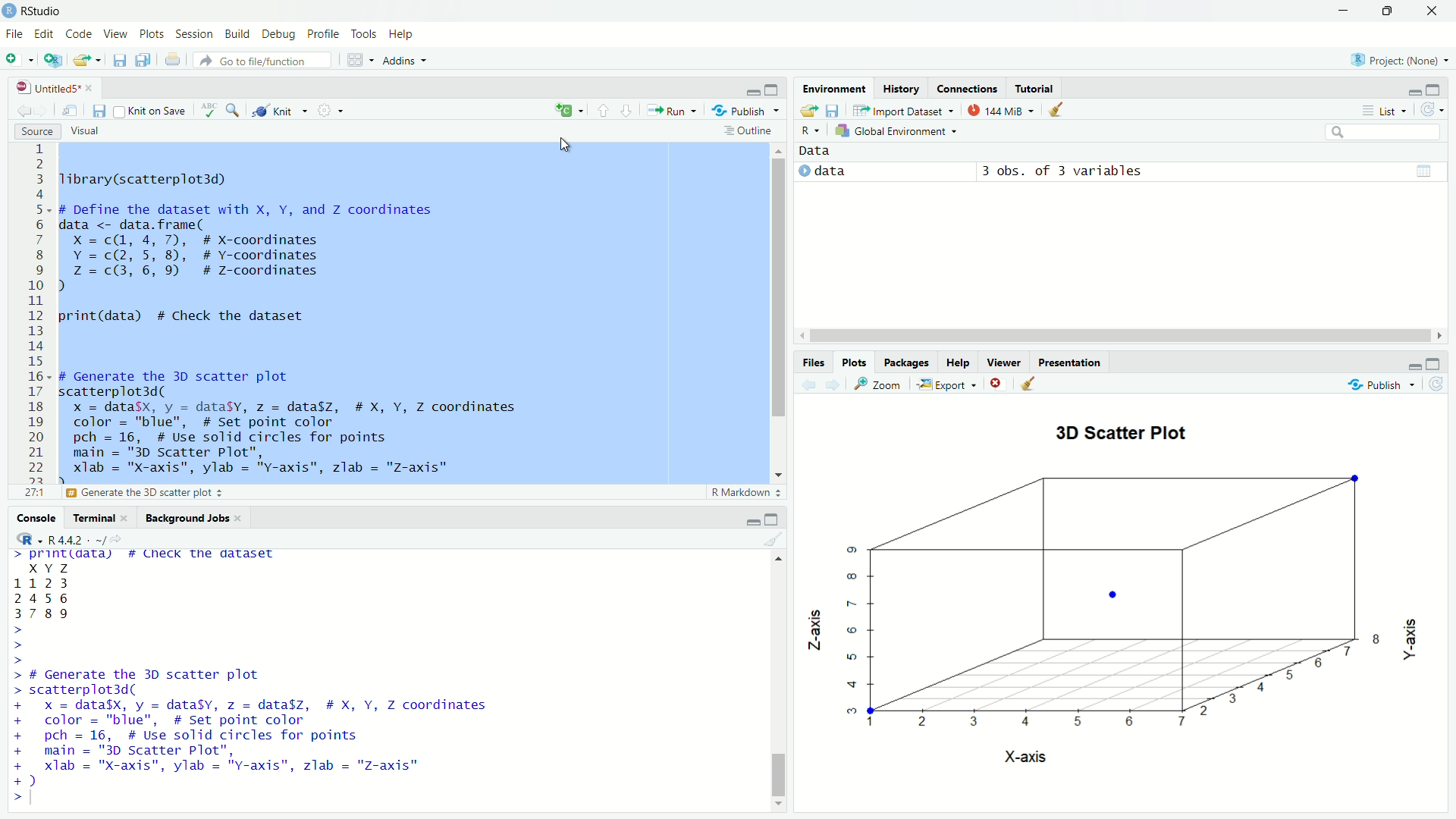 The image size is (1456, 819). I want to click on data, so click(834, 173).